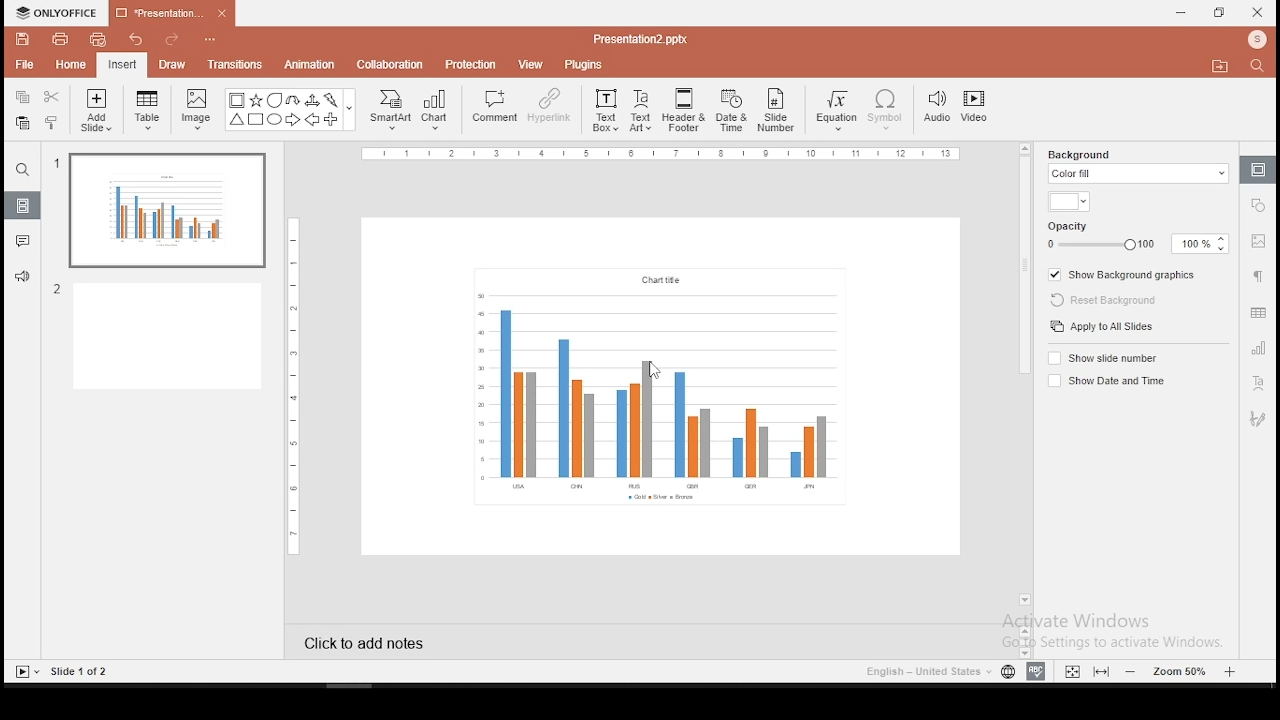  I want to click on insert, so click(123, 64).